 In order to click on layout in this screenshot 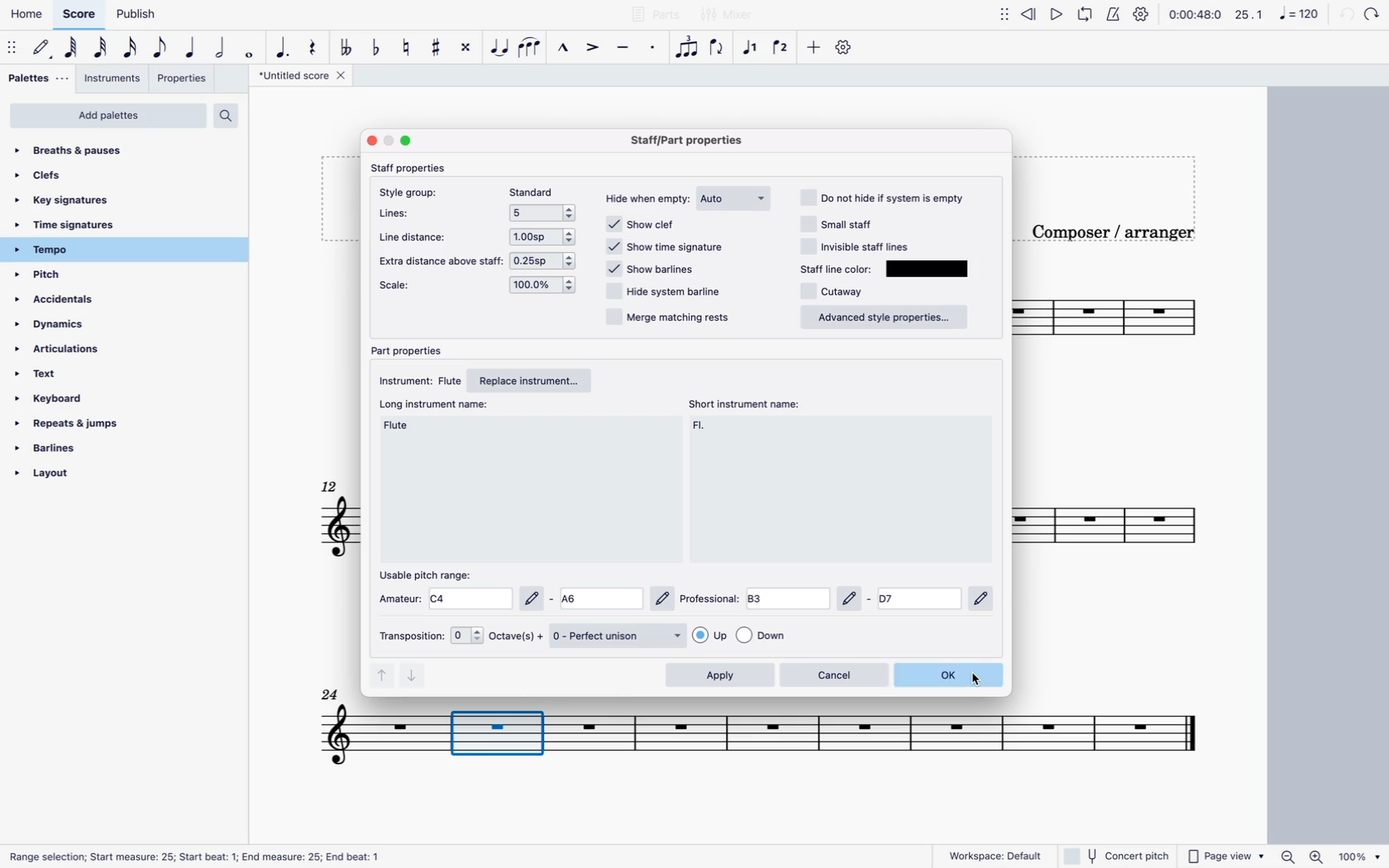, I will do `click(76, 475)`.